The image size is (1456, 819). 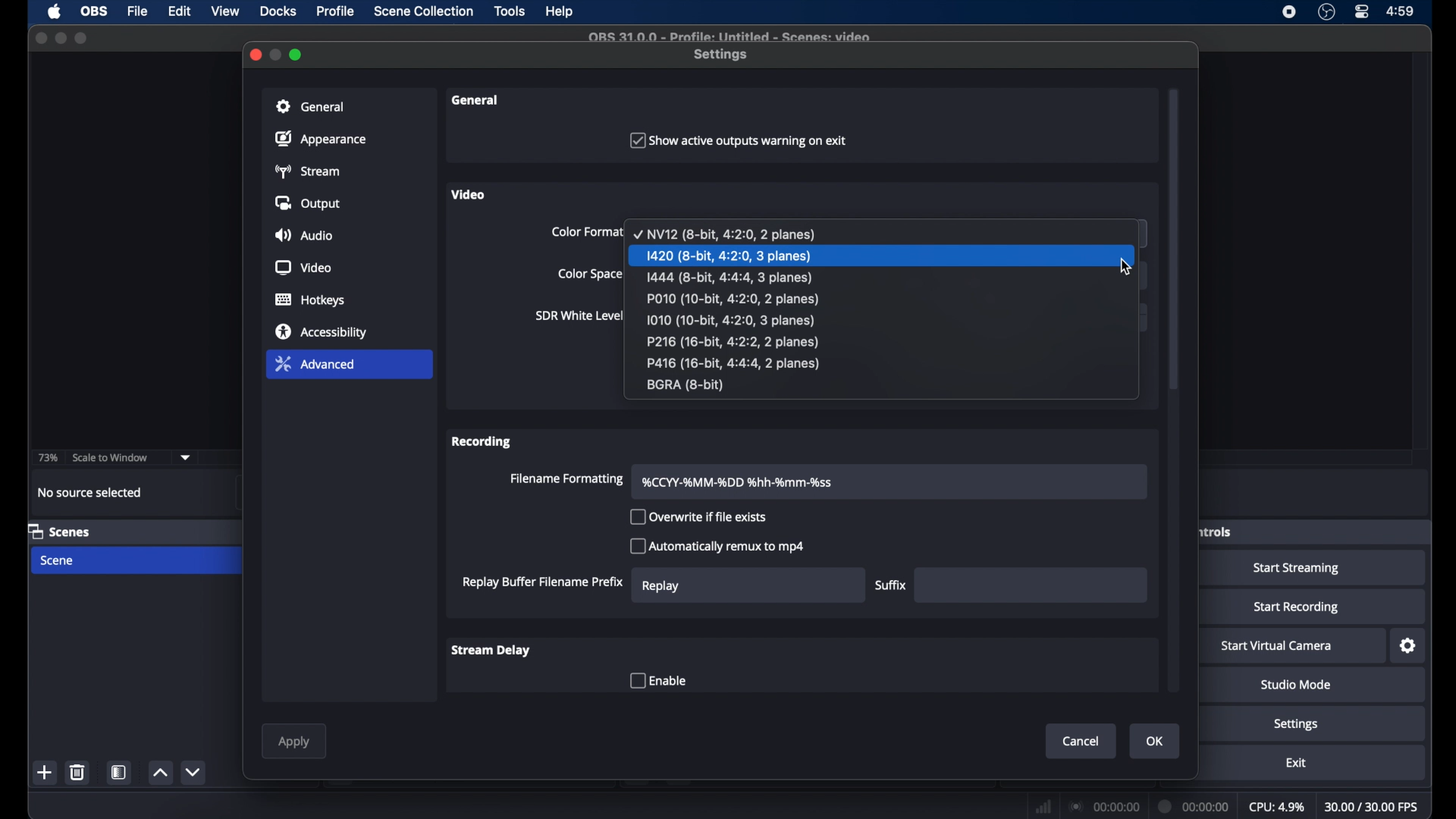 I want to click on OBS 31.0.0 - Profile: Untitled - Scenes: video, so click(x=733, y=36).